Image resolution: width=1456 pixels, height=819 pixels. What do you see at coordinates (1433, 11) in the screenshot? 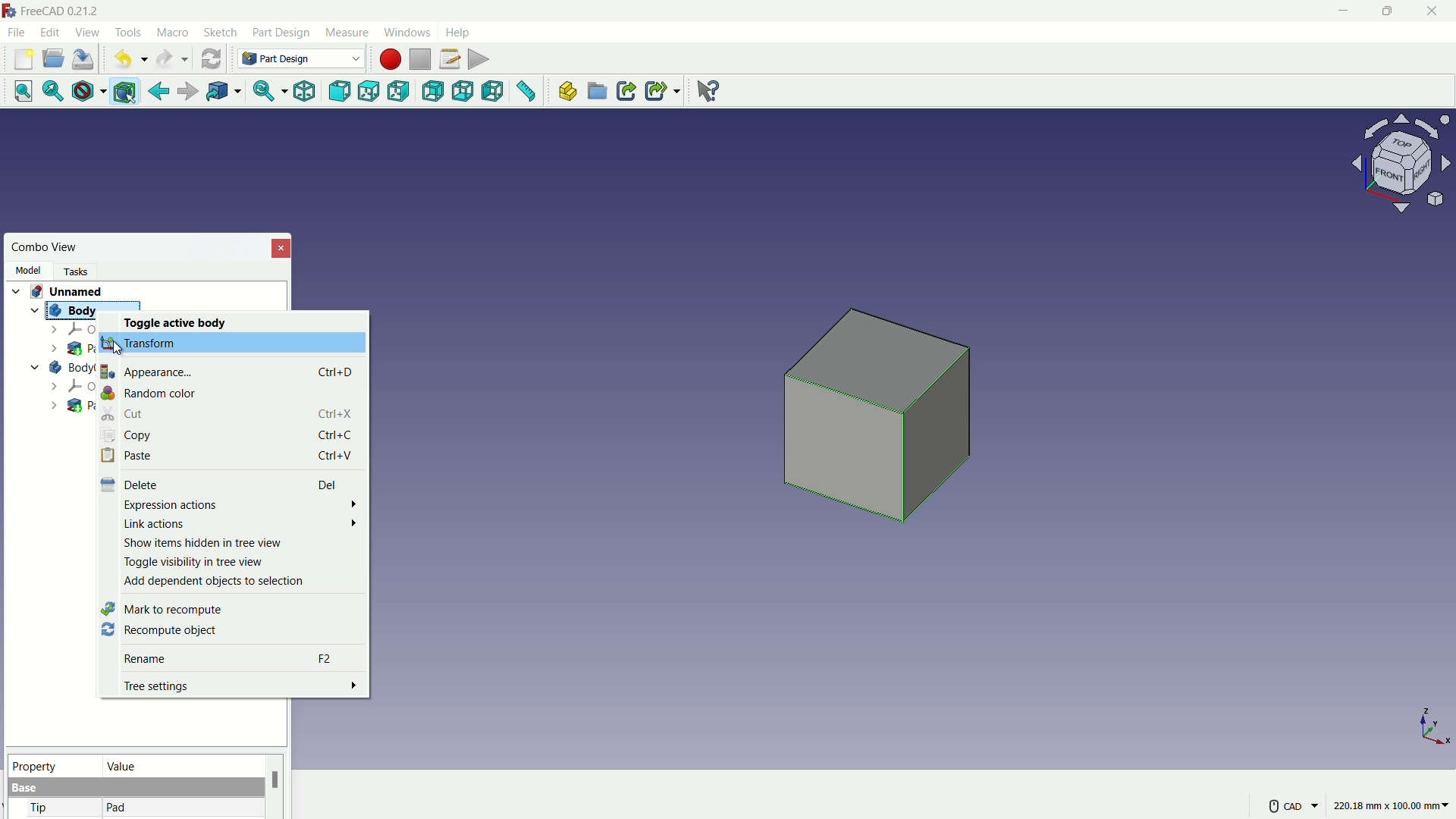
I see `close app` at bounding box center [1433, 11].